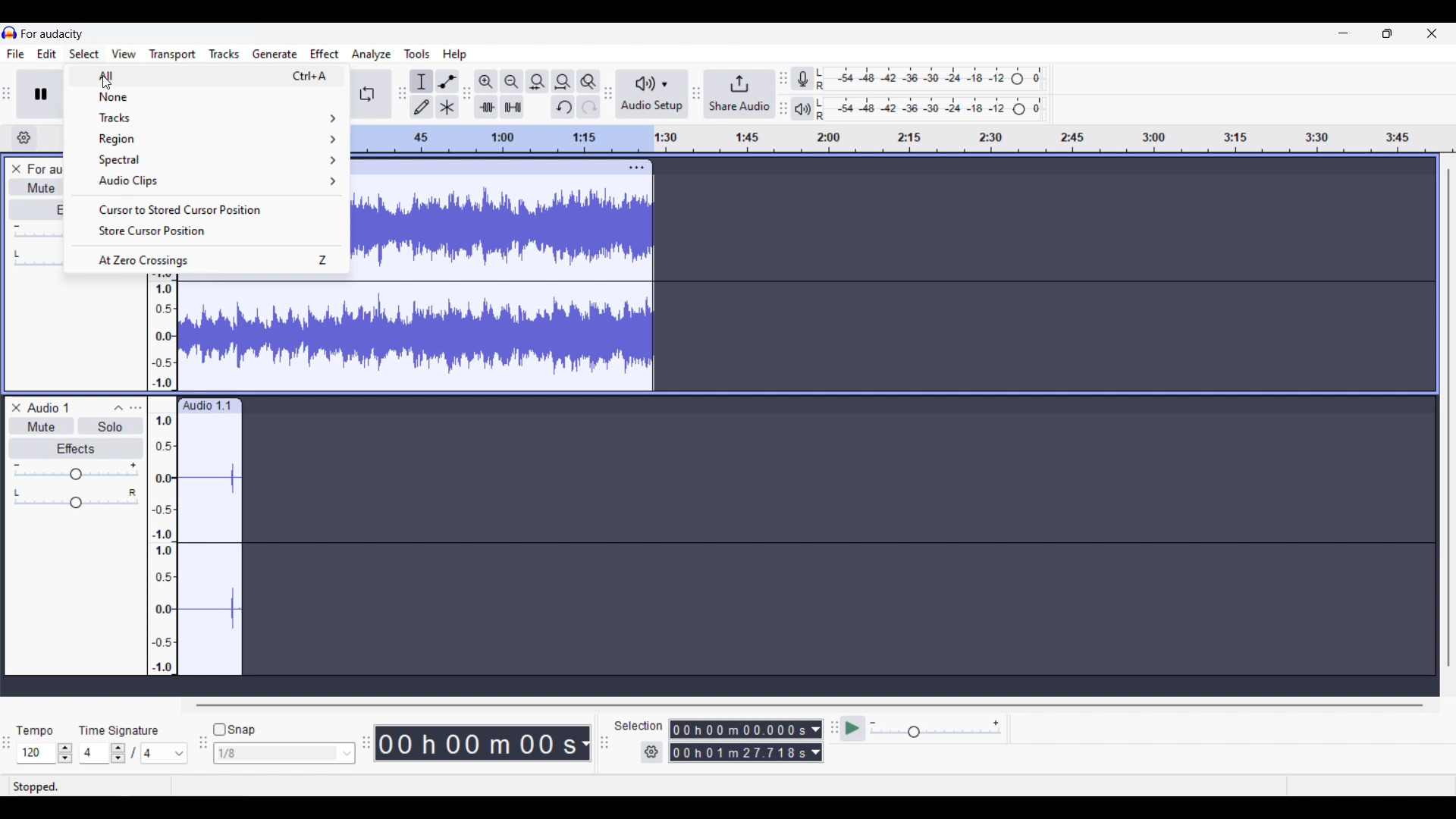 The height and width of the screenshot is (819, 1456). Describe the element at coordinates (208, 118) in the screenshot. I see `Track options` at that location.